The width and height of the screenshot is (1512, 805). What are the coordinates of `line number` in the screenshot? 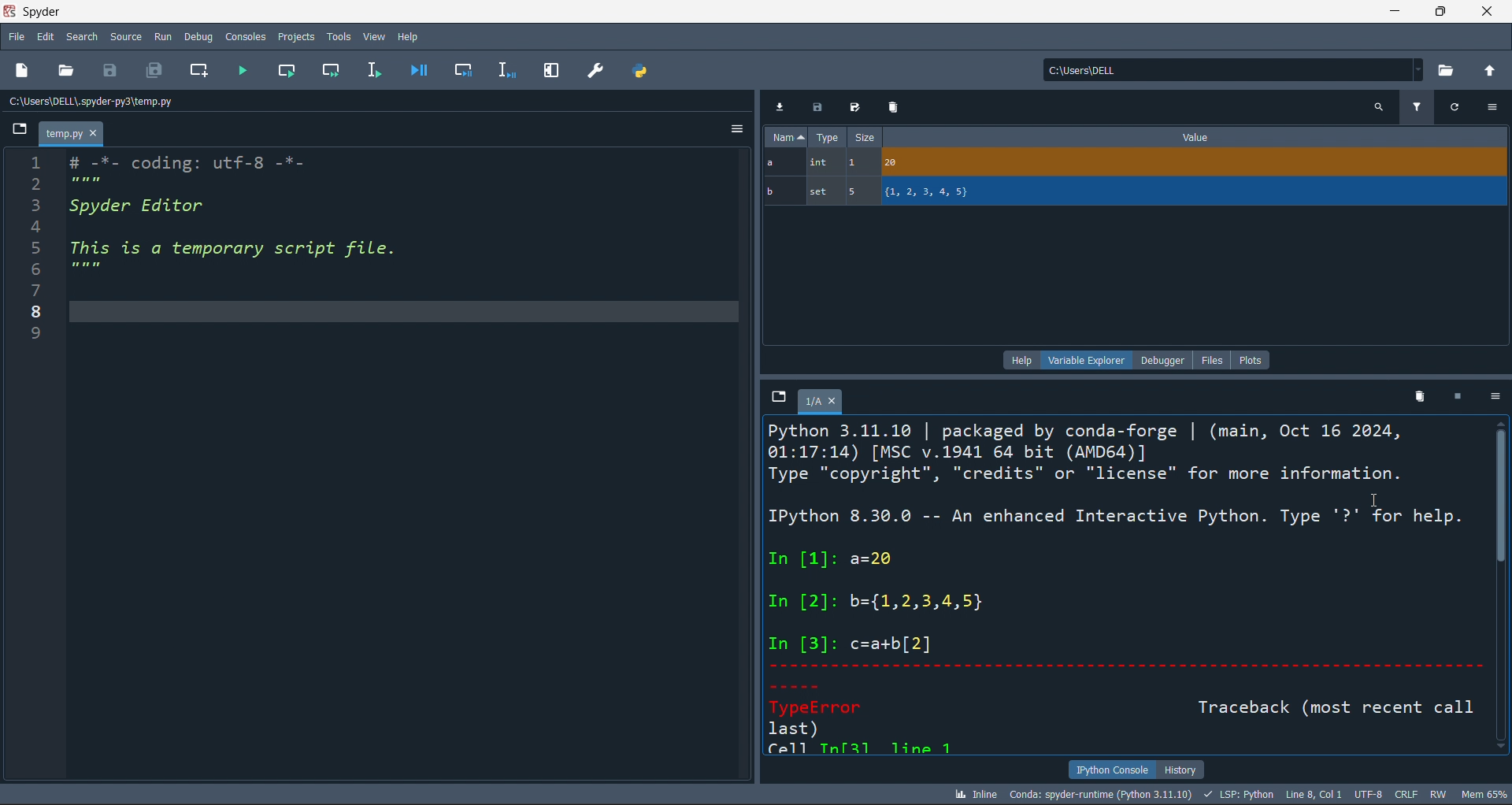 It's located at (28, 469).